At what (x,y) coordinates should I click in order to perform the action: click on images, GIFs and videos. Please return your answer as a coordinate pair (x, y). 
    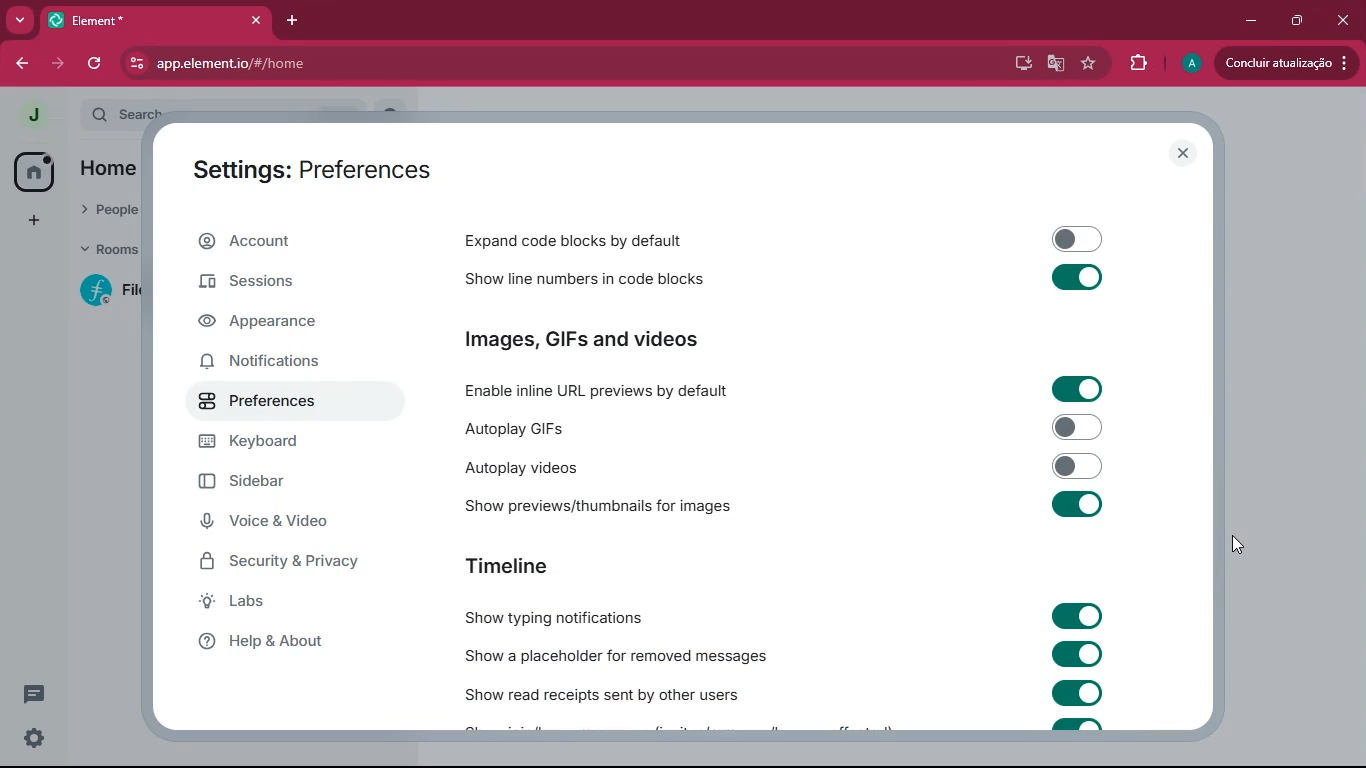
    Looking at the image, I should click on (630, 339).